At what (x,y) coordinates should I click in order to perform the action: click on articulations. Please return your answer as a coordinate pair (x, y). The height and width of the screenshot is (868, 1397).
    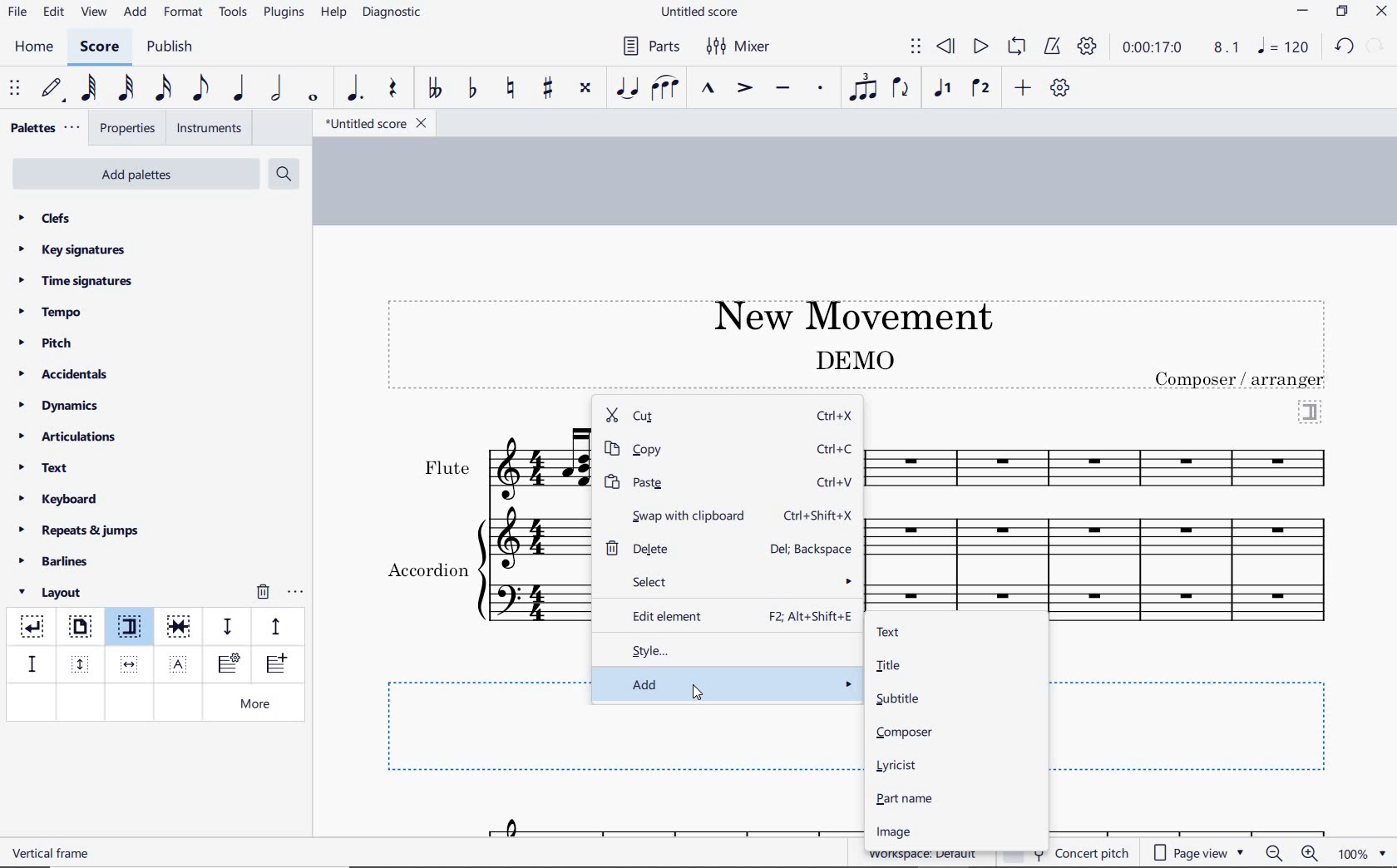
    Looking at the image, I should click on (69, 439).